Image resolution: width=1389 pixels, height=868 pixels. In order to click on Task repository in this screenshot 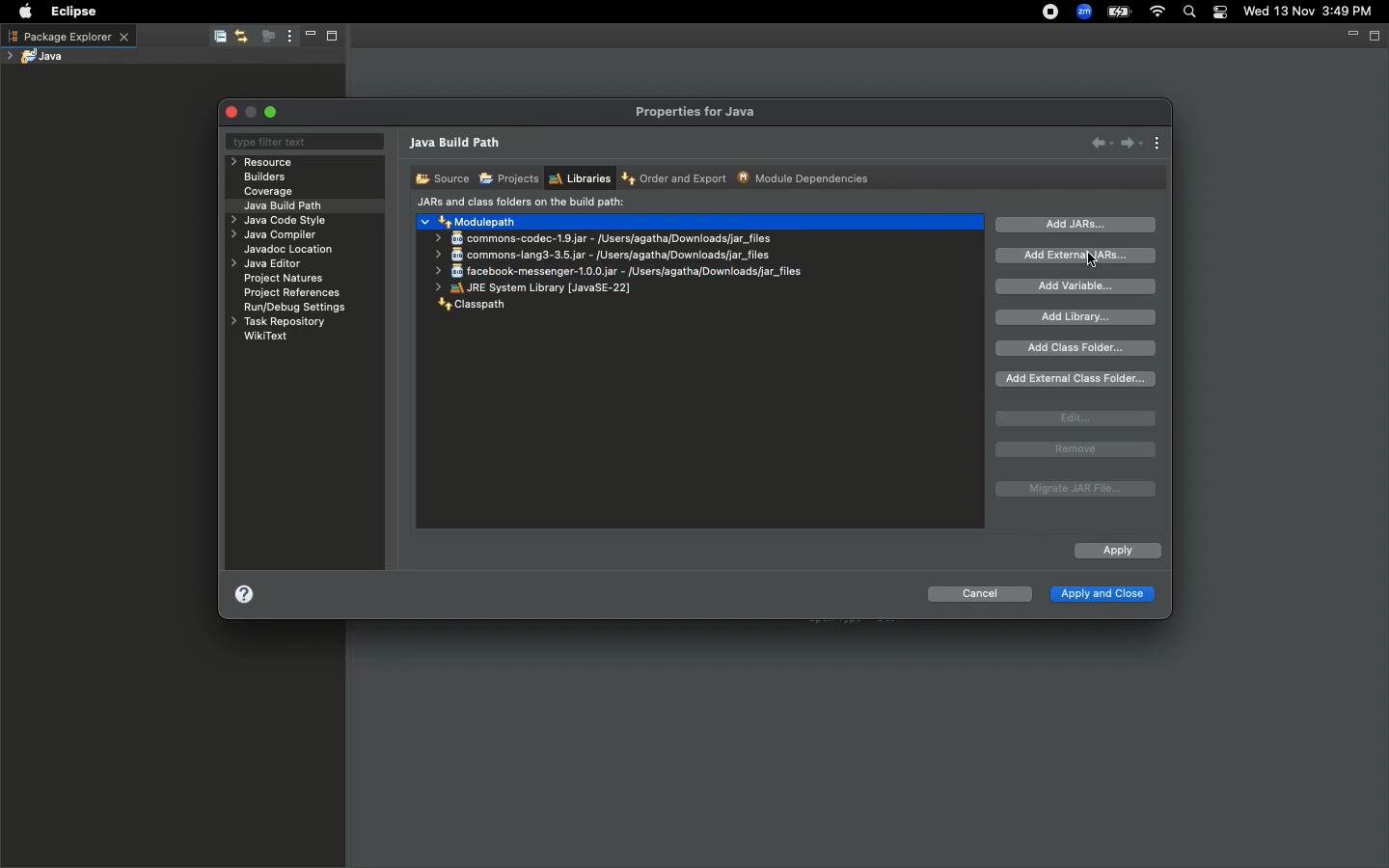, I will do `click(277, 322)`.